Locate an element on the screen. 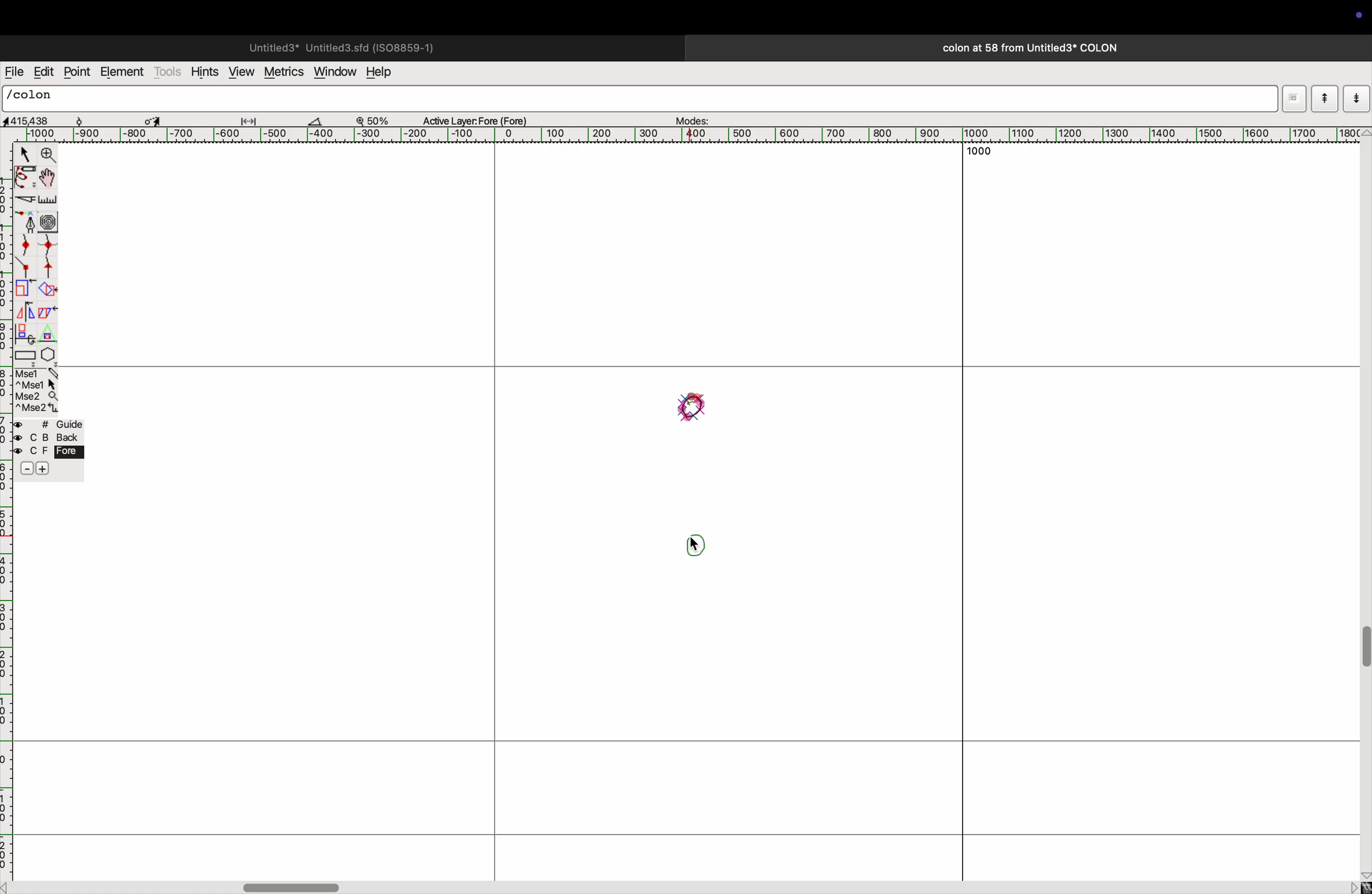 The width and height of the screenshot is (1372, 894). mode up is located at coordinates (1324, 99).